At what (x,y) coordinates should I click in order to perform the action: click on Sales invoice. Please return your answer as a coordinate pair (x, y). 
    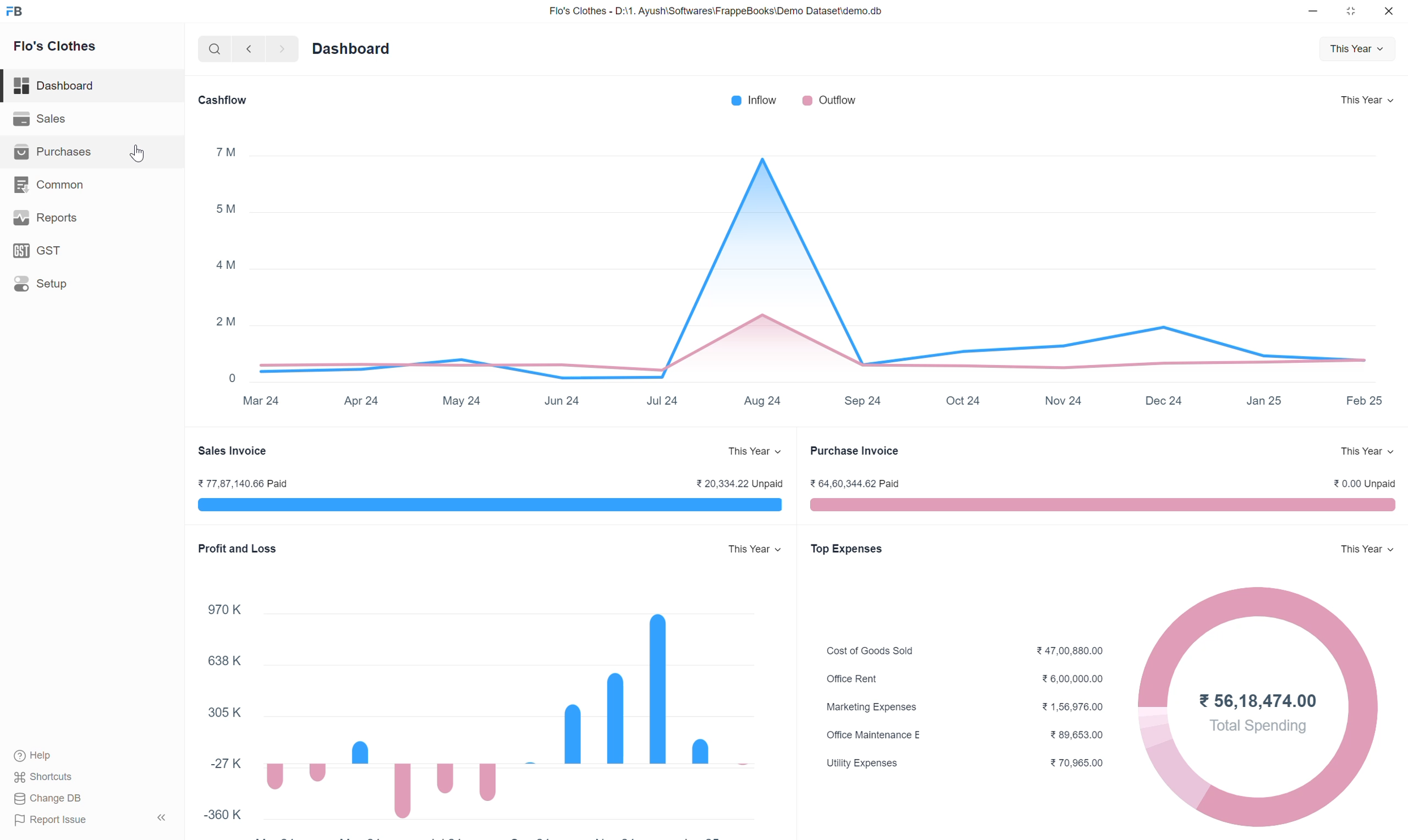
    Looking at the image, I should click on (233, 451).